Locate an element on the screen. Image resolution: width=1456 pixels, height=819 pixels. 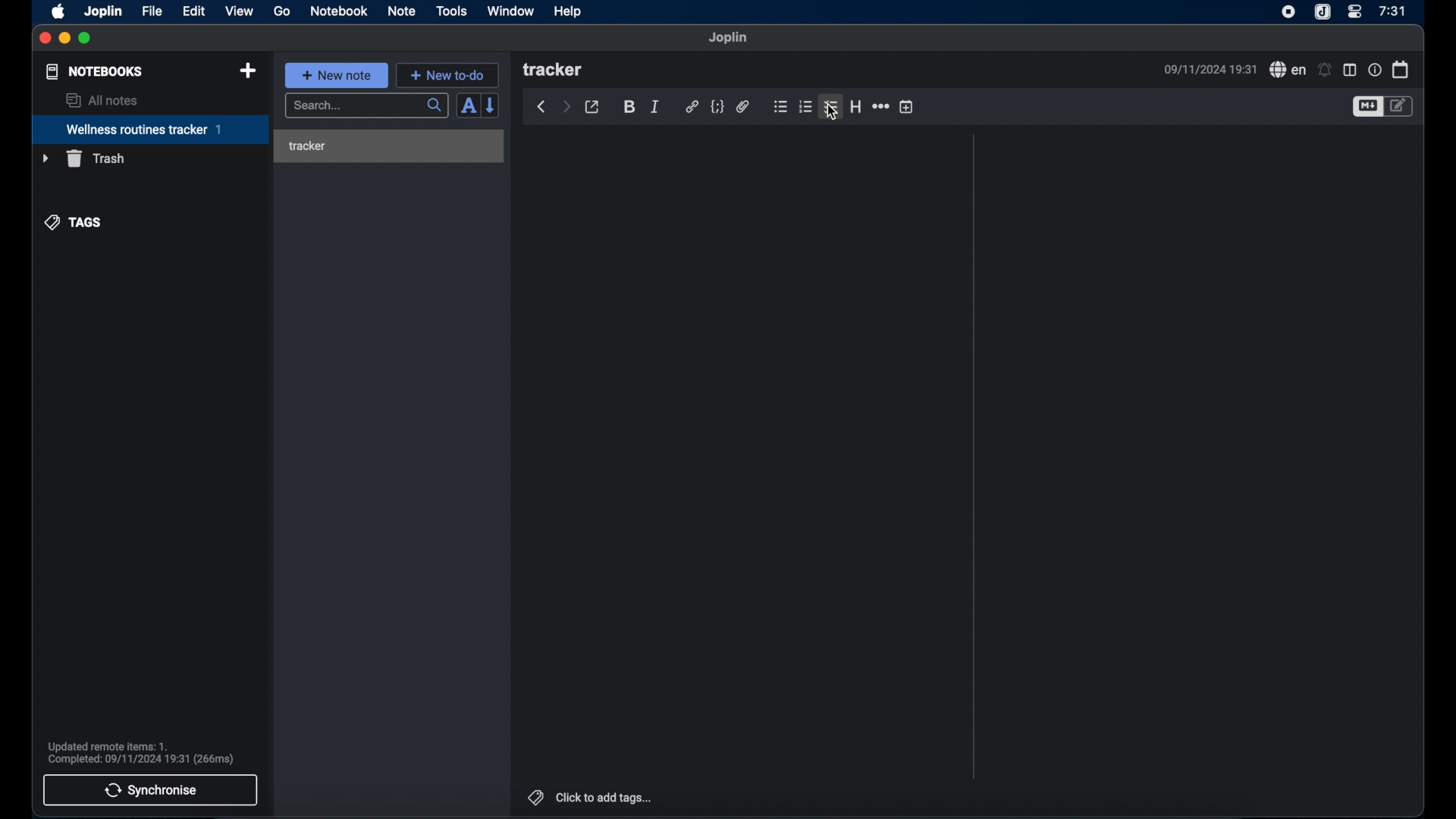
set alarms is located at coordinates (1325, 70).